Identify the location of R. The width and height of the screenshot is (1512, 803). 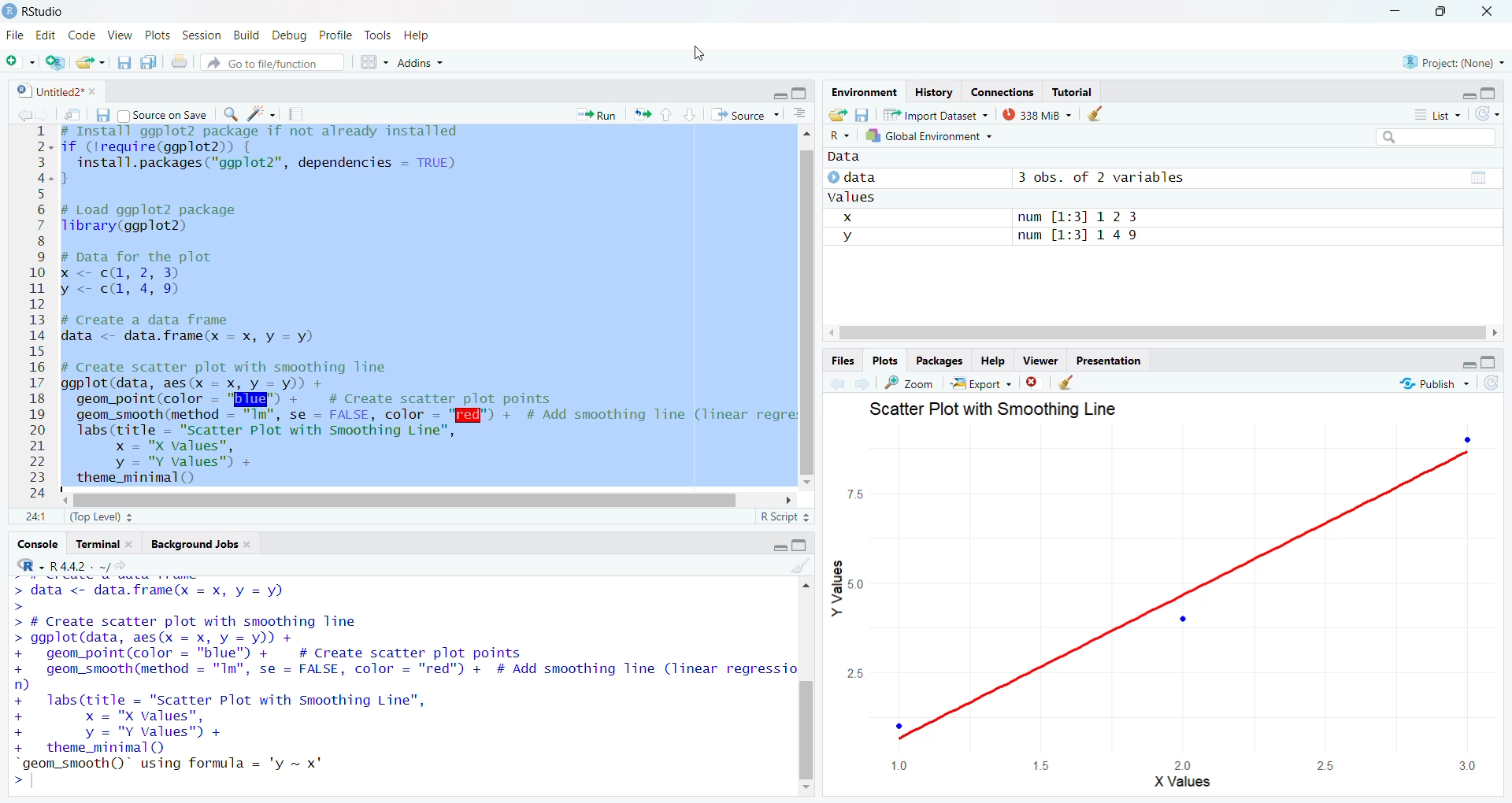
(837, 135).